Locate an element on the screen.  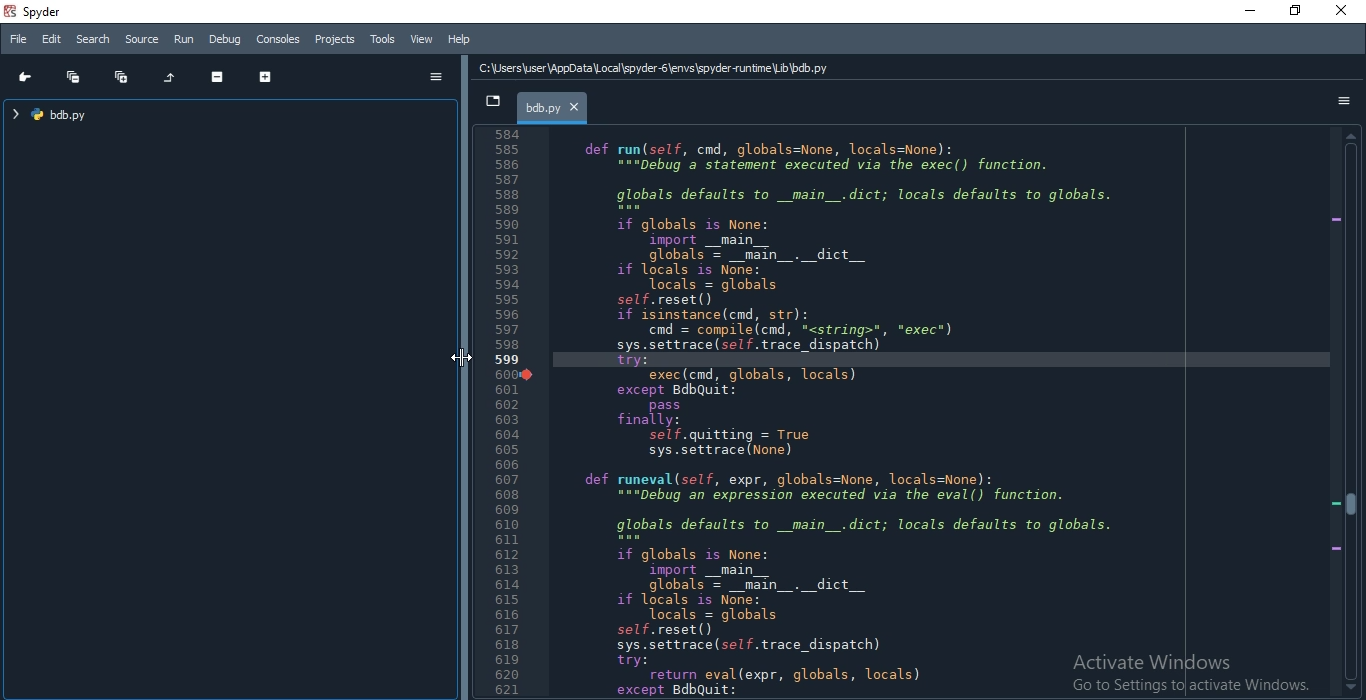
Line Number is located at coordinates (510, 413).